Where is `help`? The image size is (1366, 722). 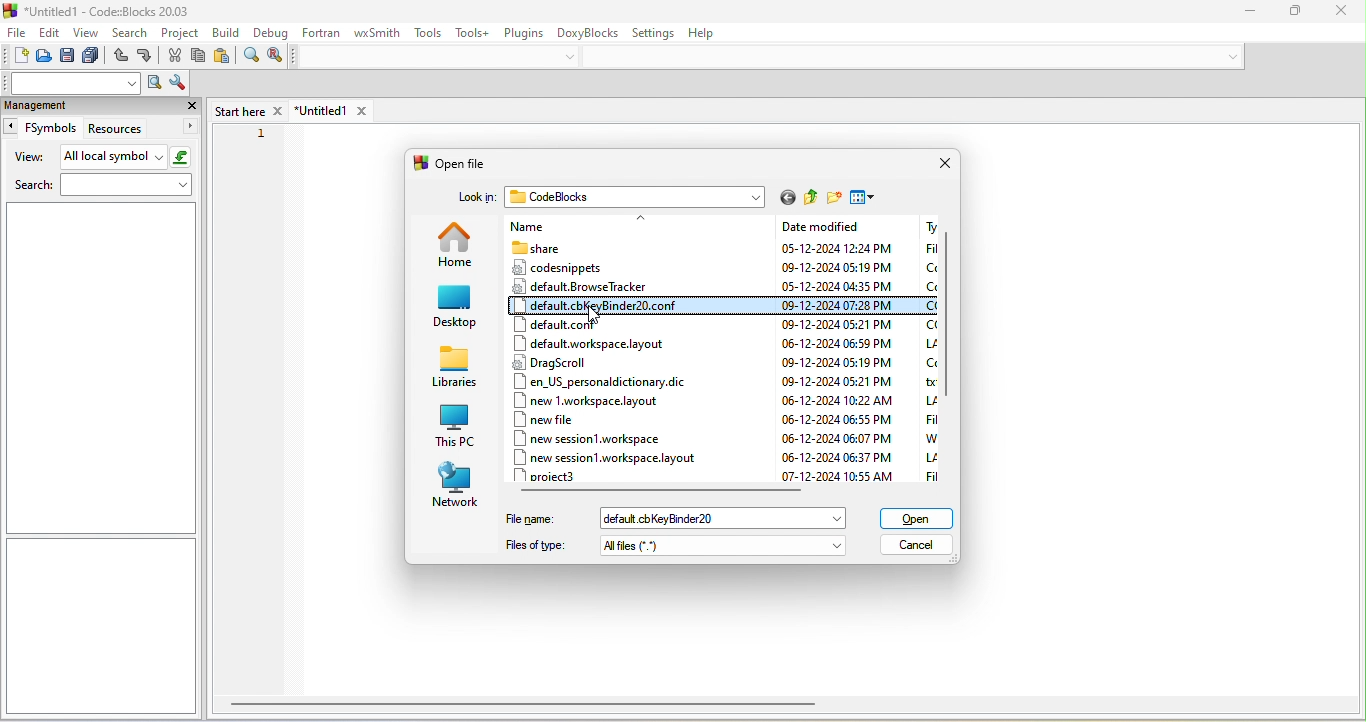
help is located at coordinates (712, 34).